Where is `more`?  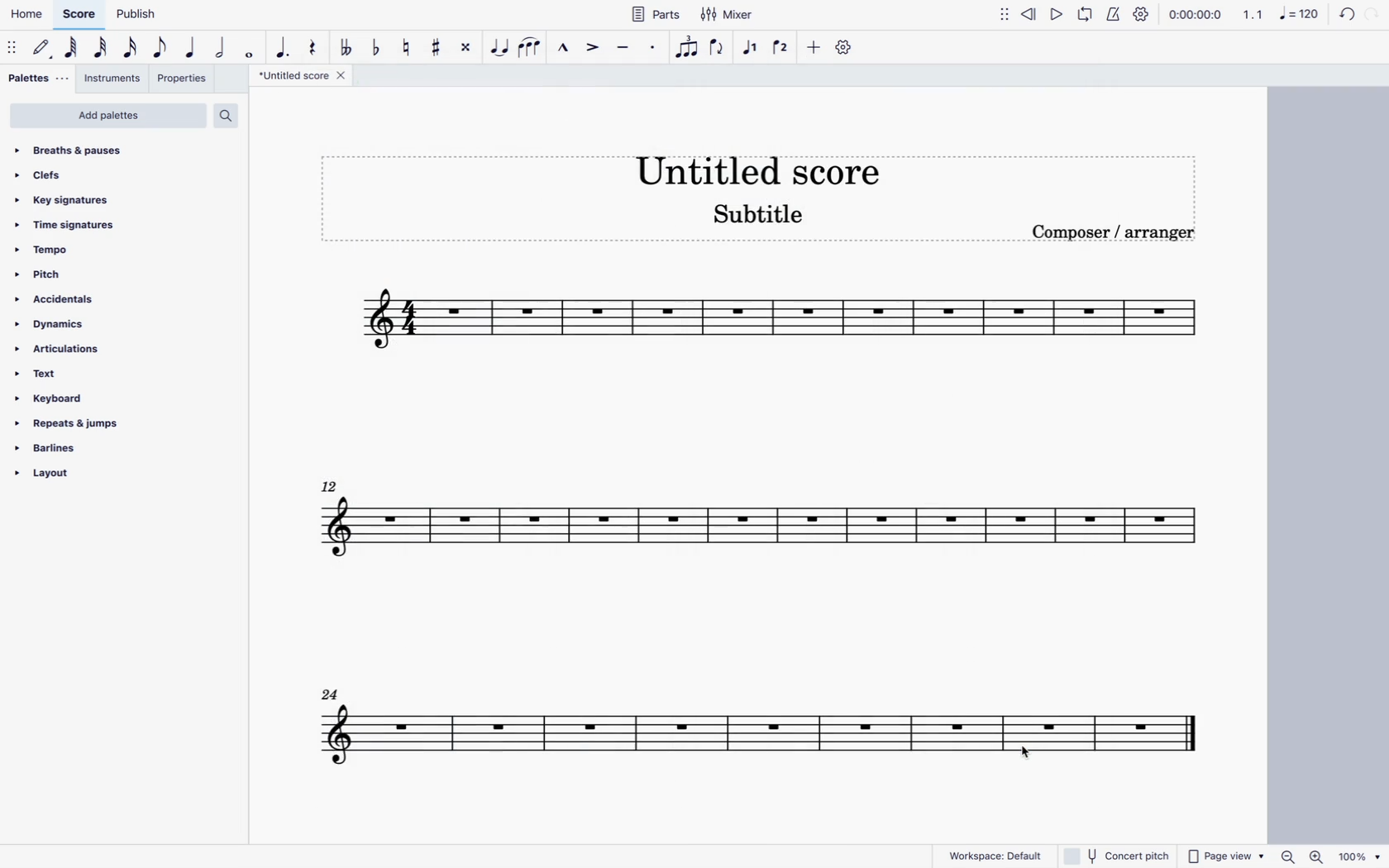 more is located at coordinates (815, 48).